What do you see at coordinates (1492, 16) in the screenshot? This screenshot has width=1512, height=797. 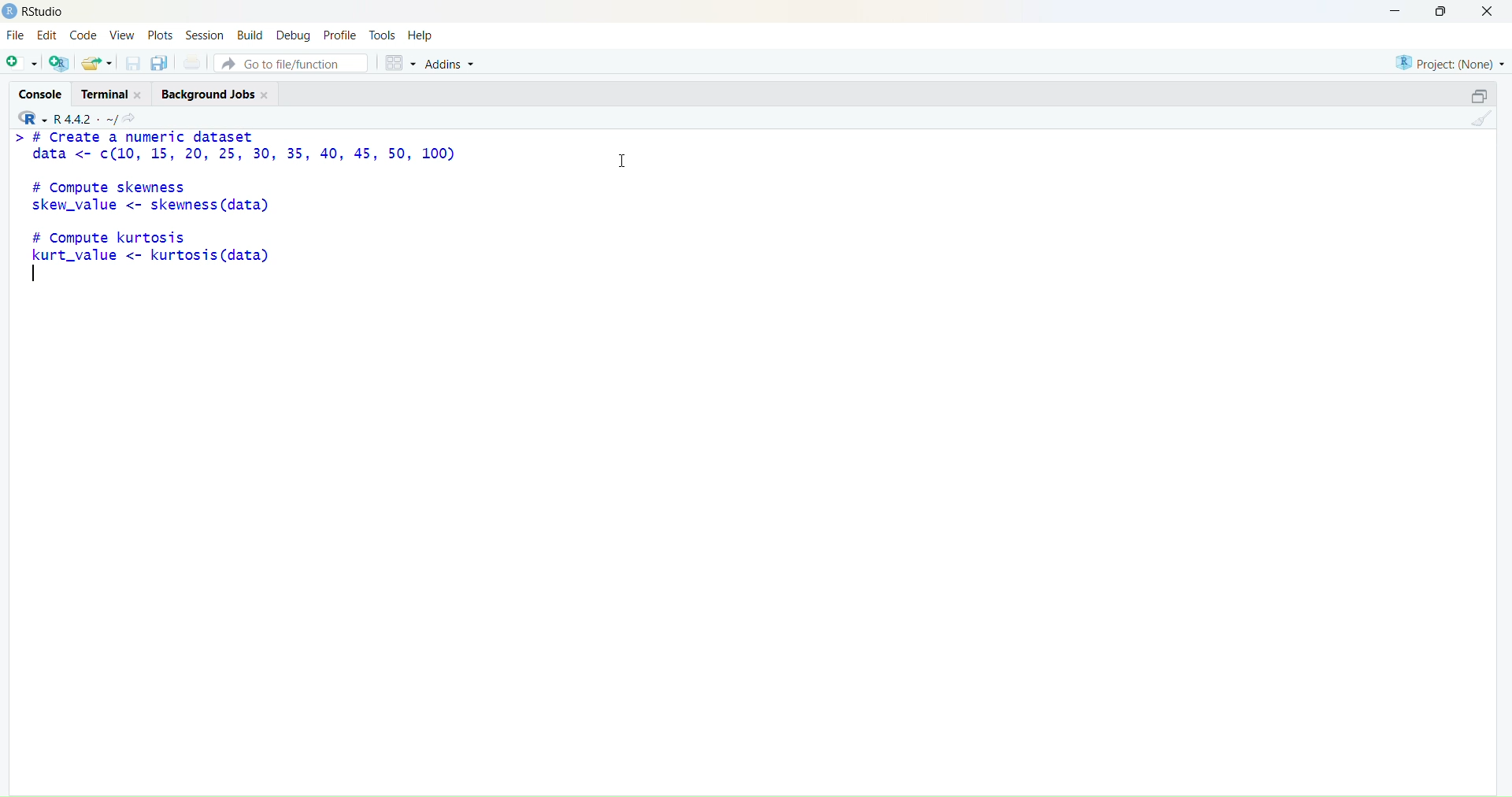 I see `Close` at bounding box center [1492, 16].